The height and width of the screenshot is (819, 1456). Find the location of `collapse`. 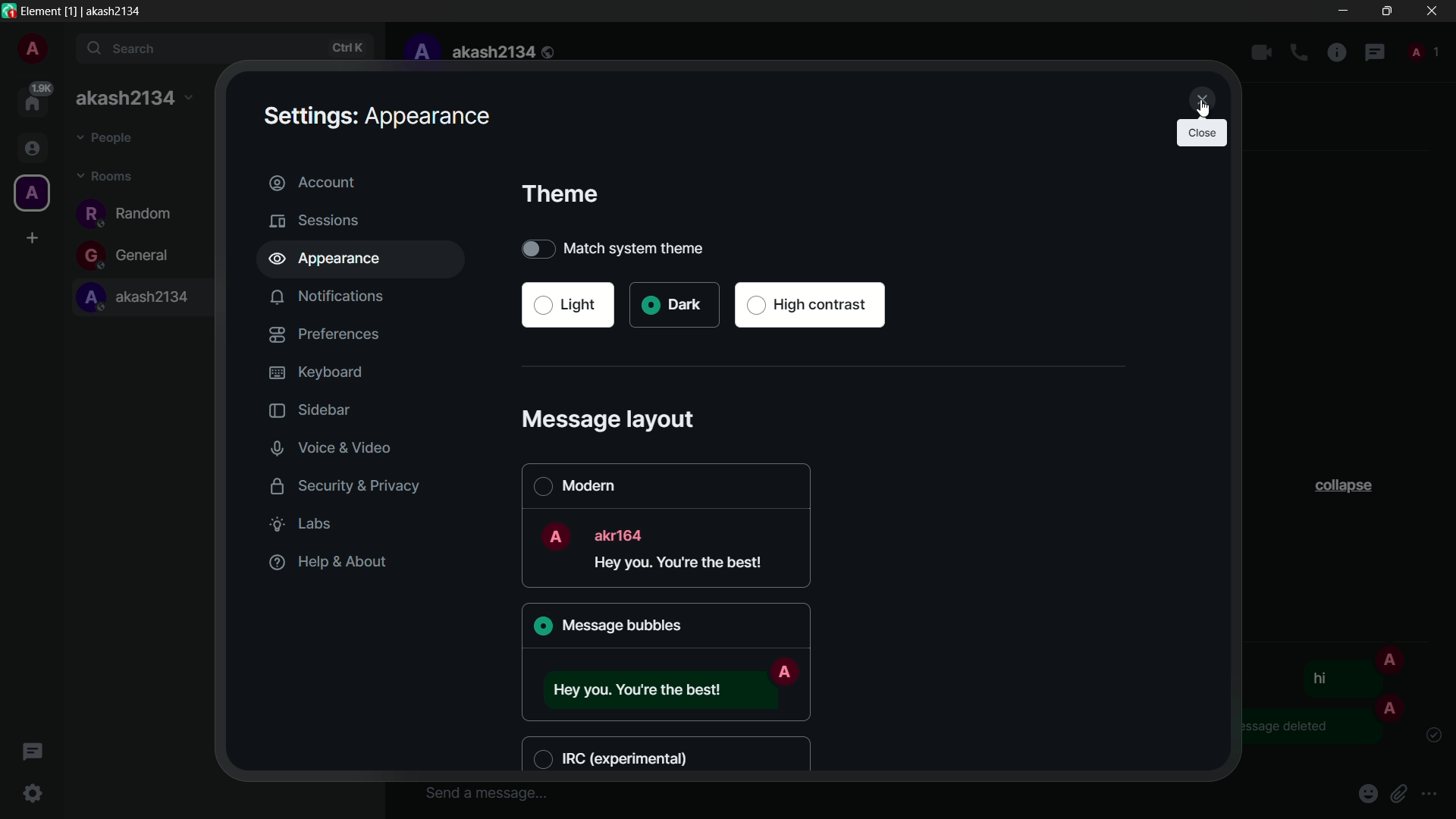

collapse is located at coordinates (1348, 488).